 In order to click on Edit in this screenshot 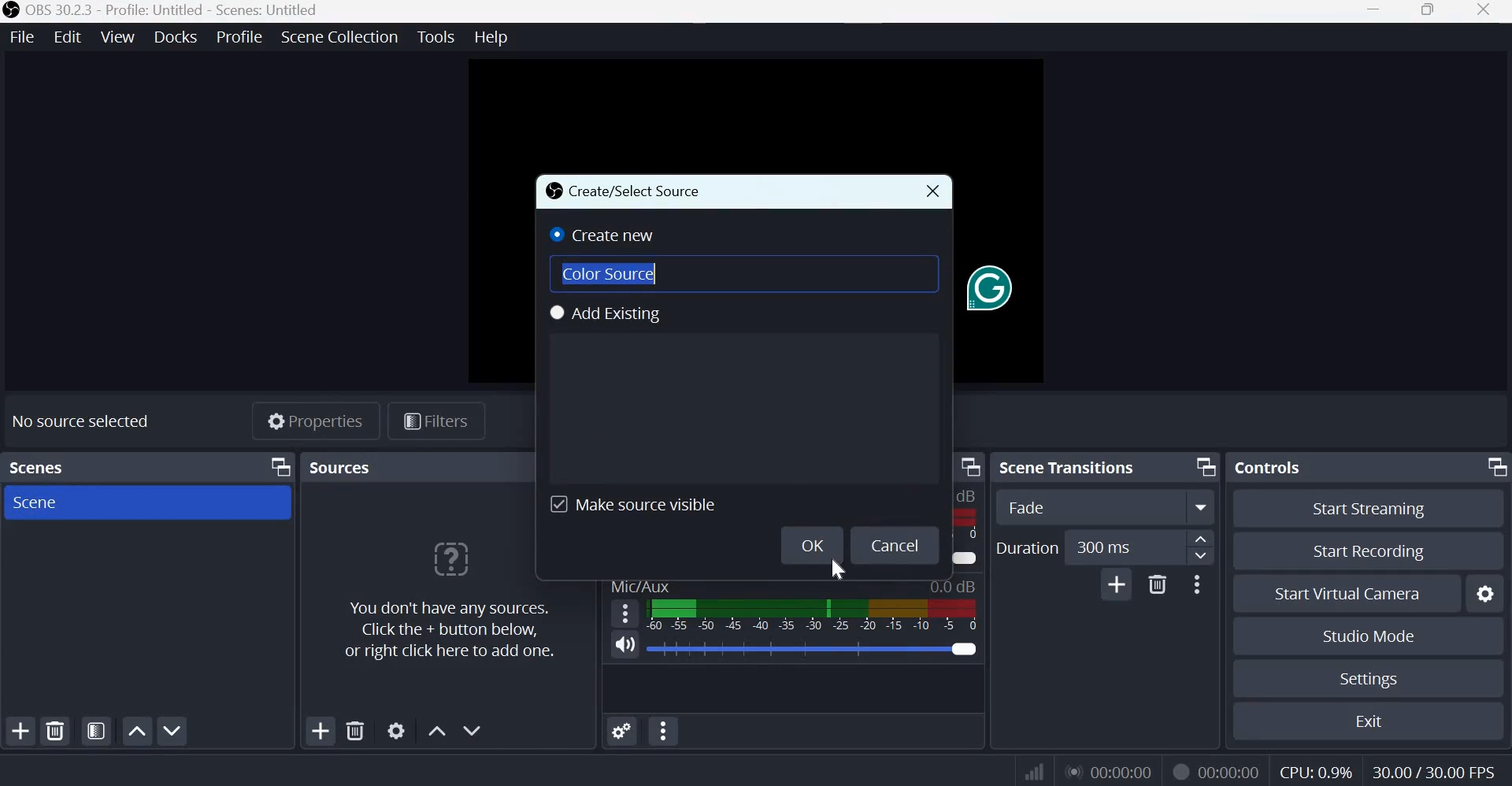, I will do `click(69, 35)`.